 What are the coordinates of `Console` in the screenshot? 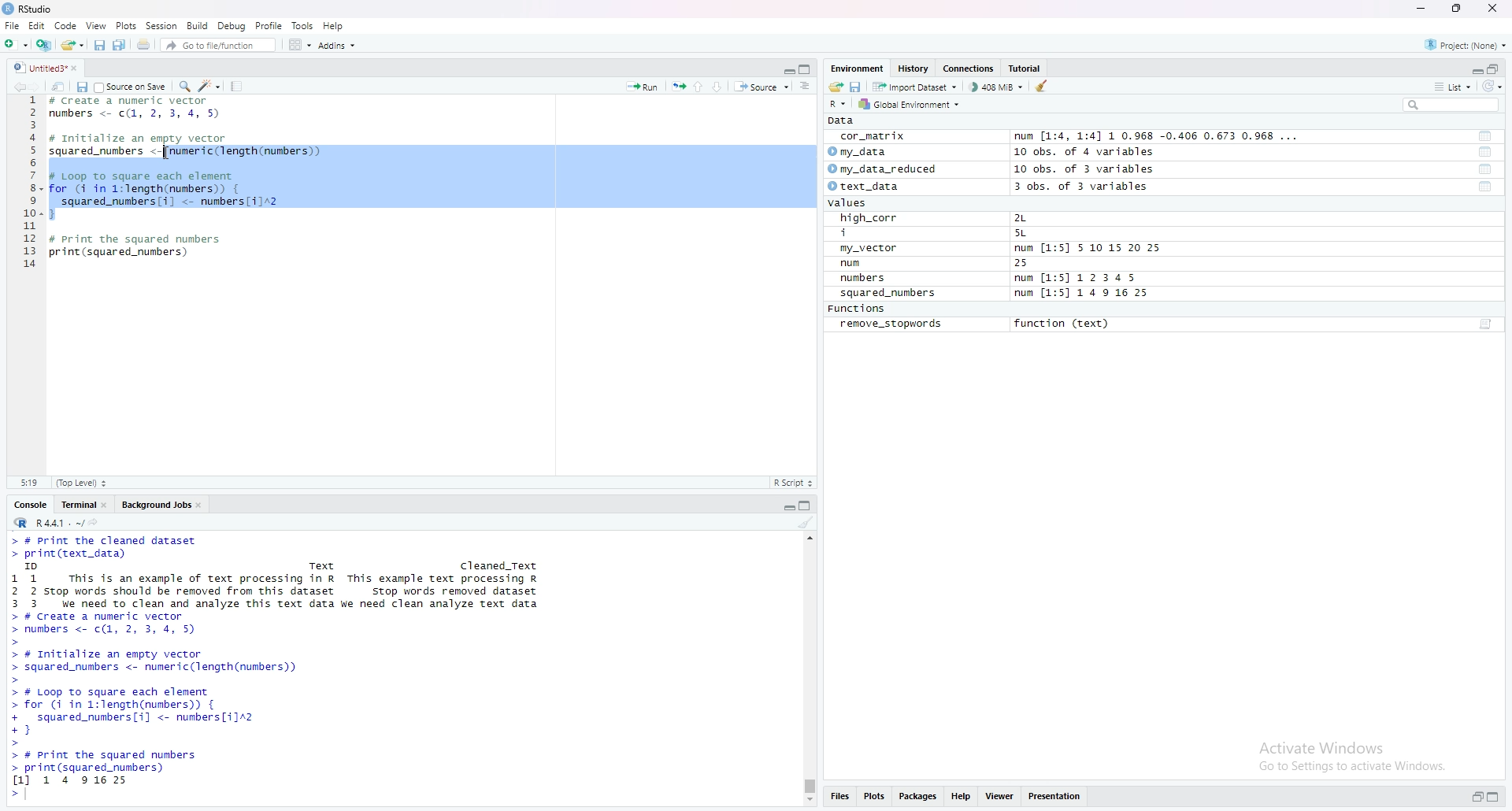 It's located at (31, 503).